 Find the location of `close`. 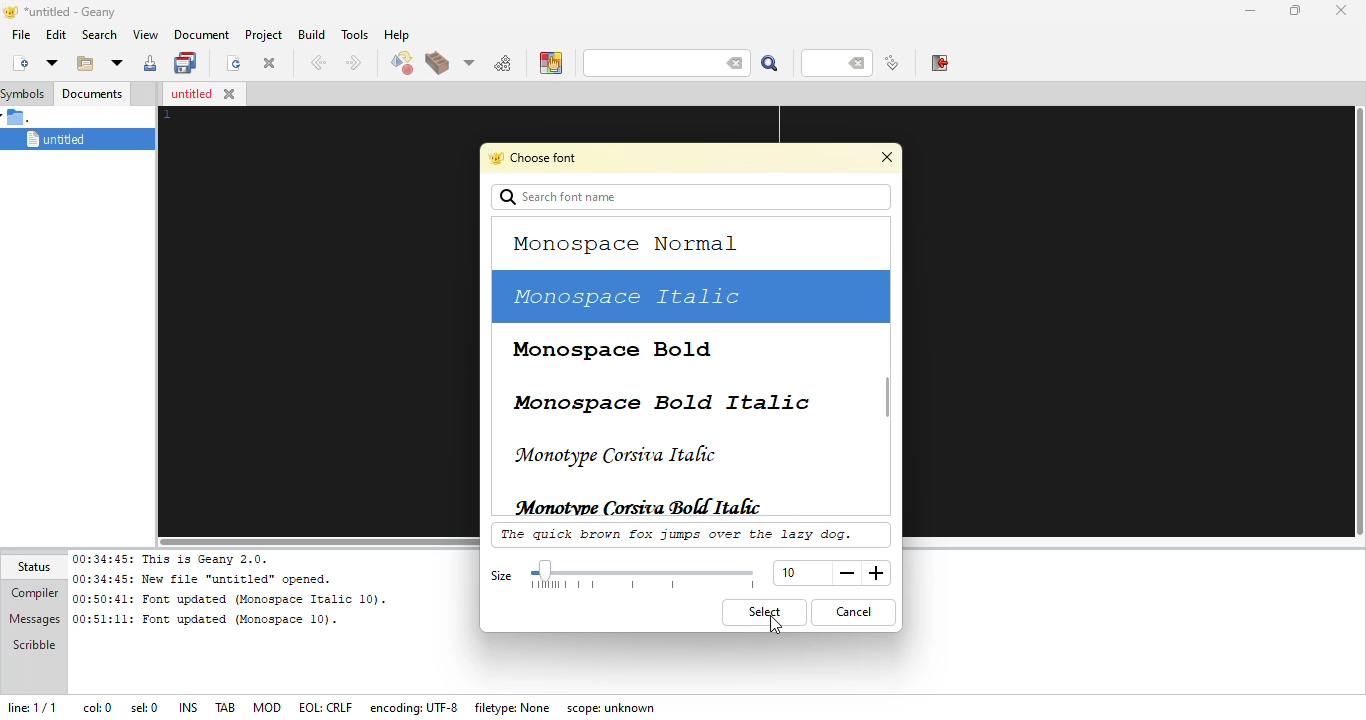

close is located at coordinates (230, 94).